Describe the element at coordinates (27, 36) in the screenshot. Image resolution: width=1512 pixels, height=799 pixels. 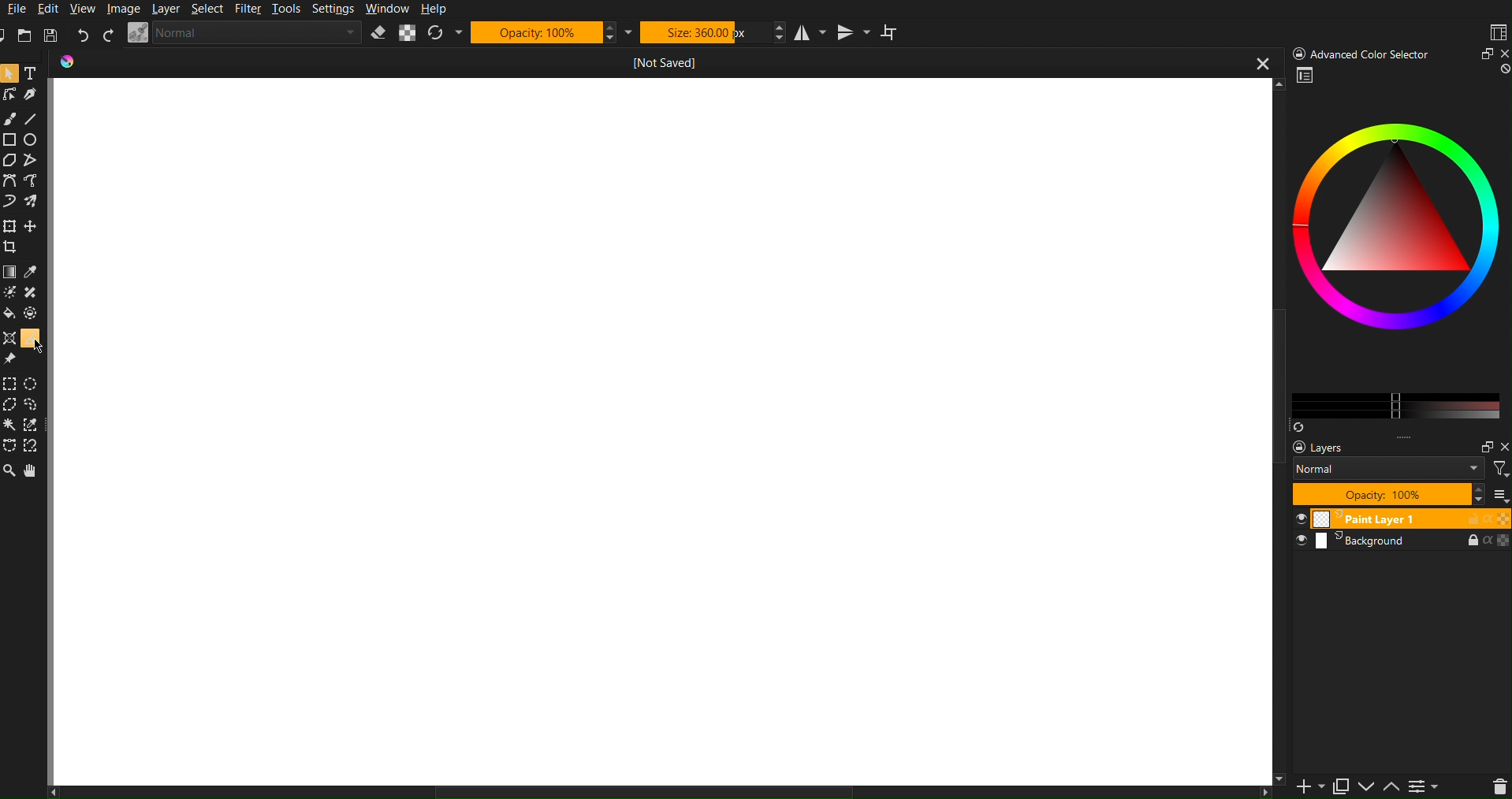
I see `Open` at that location.